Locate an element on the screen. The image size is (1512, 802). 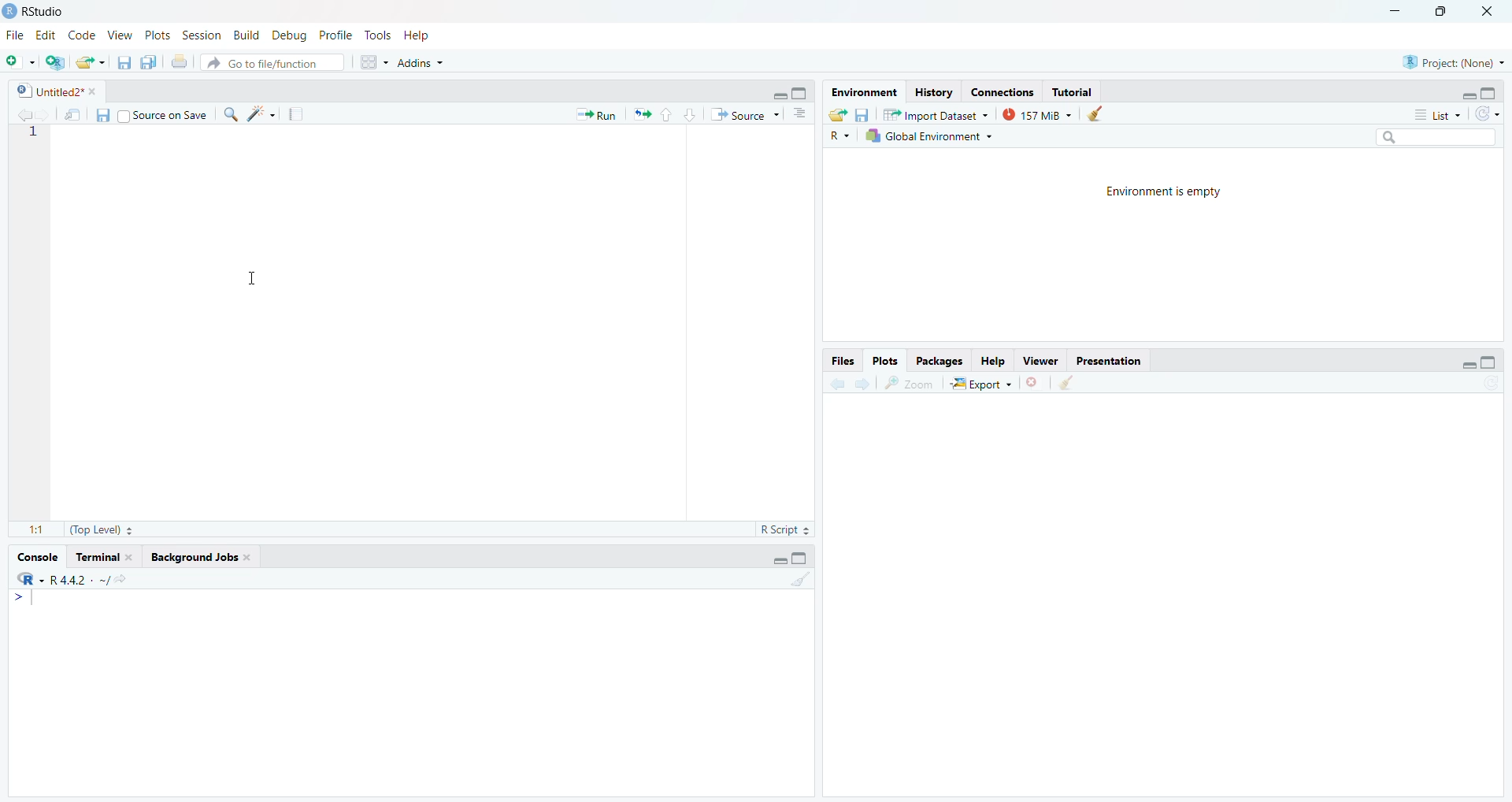
clear all plots is located at coordinates (1067, 383).